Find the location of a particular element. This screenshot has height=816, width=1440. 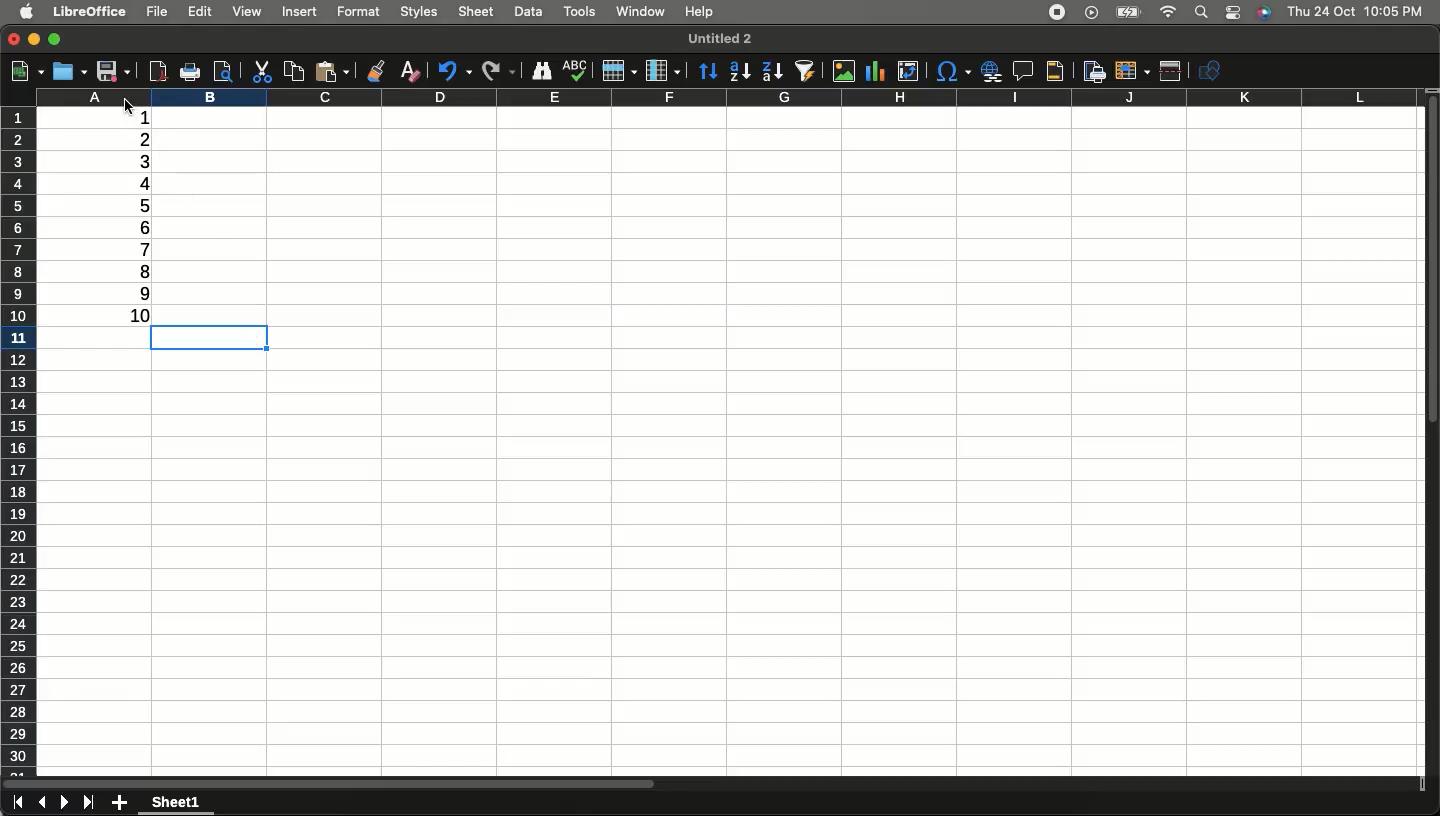

View is located at coordinates (247, 11).